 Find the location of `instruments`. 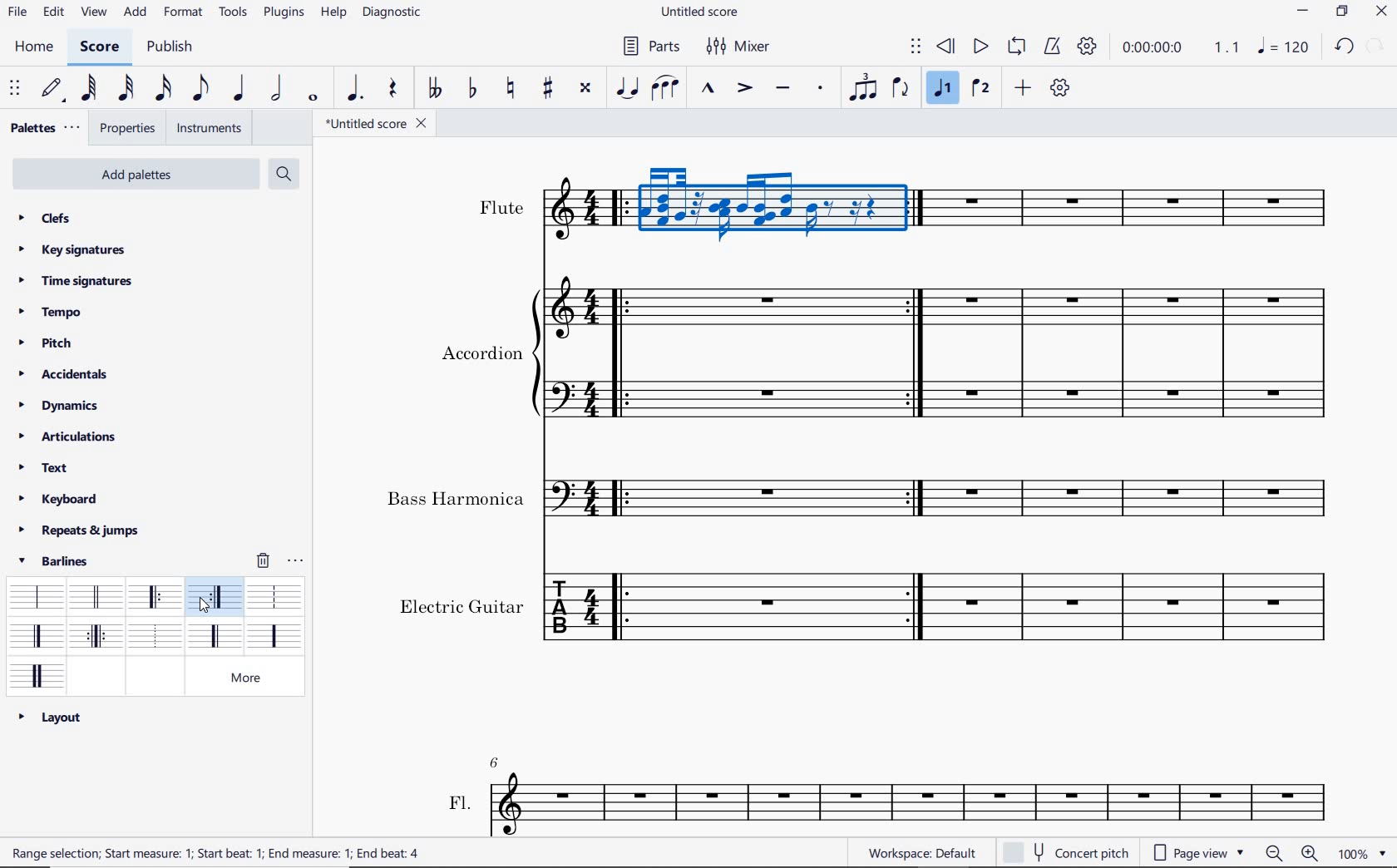

instruments is located at coordinates (210, 128).